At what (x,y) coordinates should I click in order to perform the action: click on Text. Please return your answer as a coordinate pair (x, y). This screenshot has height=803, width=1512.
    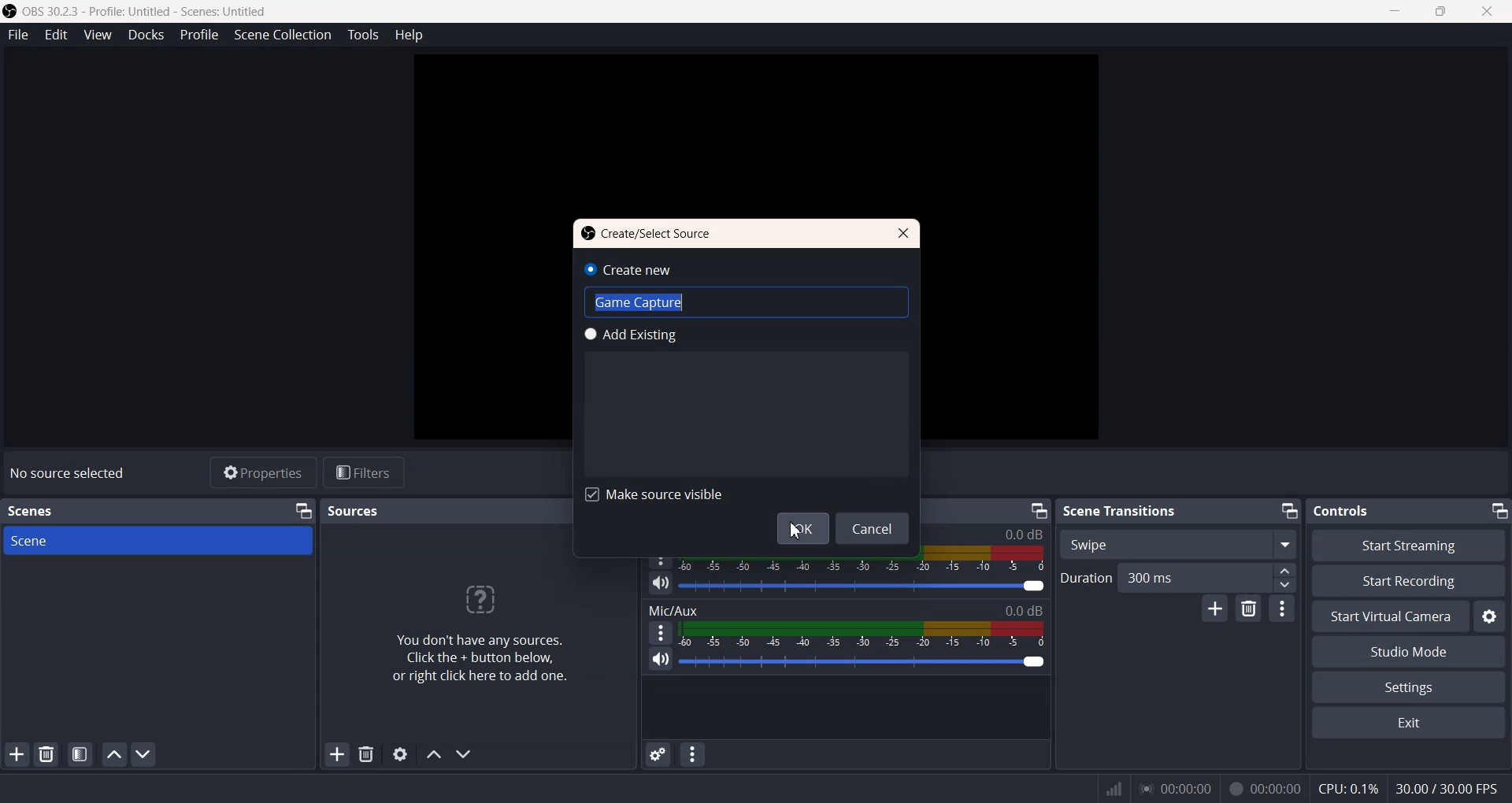
    Looking at the image, I should click on (478, 632).